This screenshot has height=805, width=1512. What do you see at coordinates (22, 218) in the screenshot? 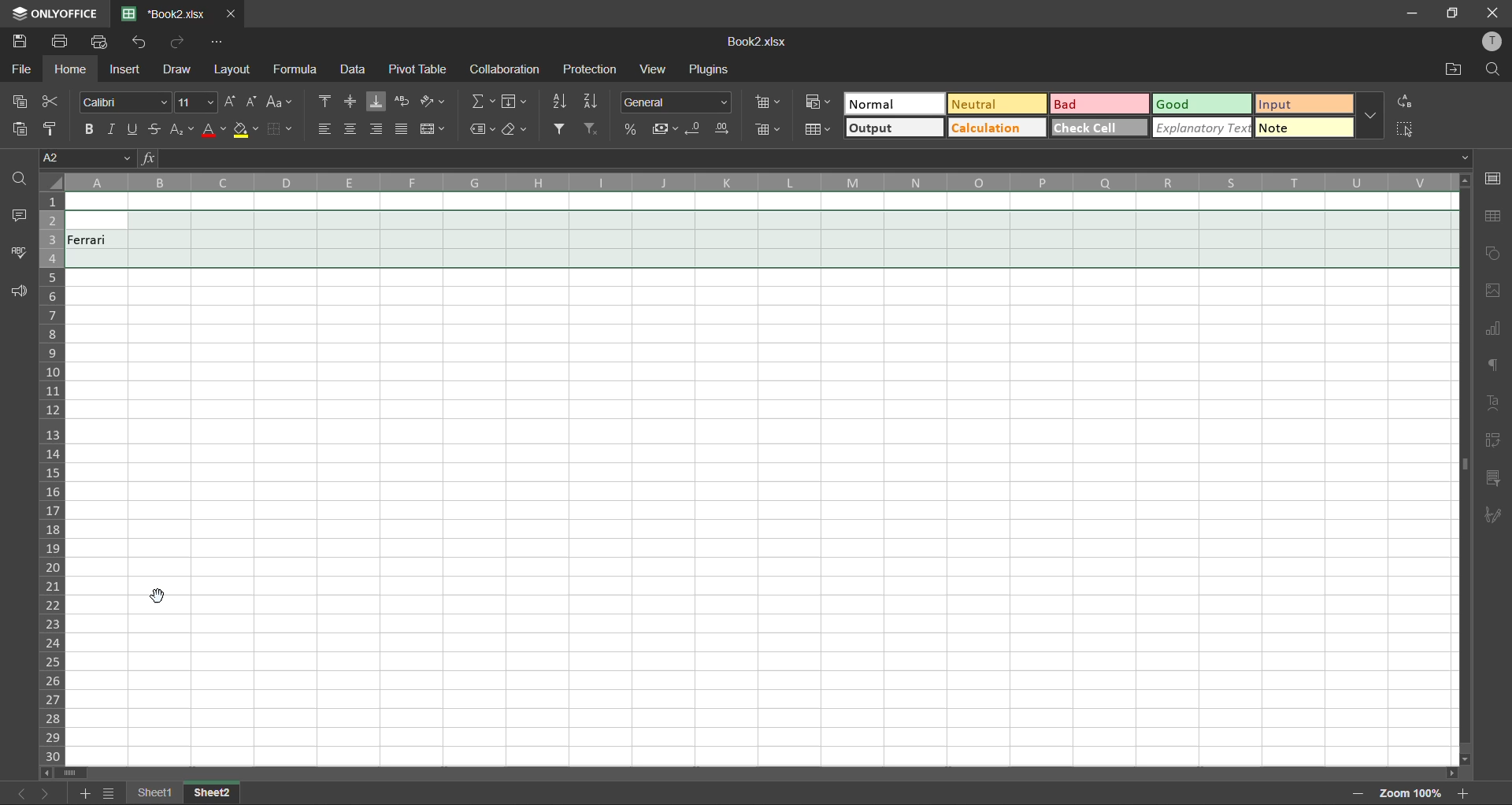
I see `comments` at bounding box center [22, 218].